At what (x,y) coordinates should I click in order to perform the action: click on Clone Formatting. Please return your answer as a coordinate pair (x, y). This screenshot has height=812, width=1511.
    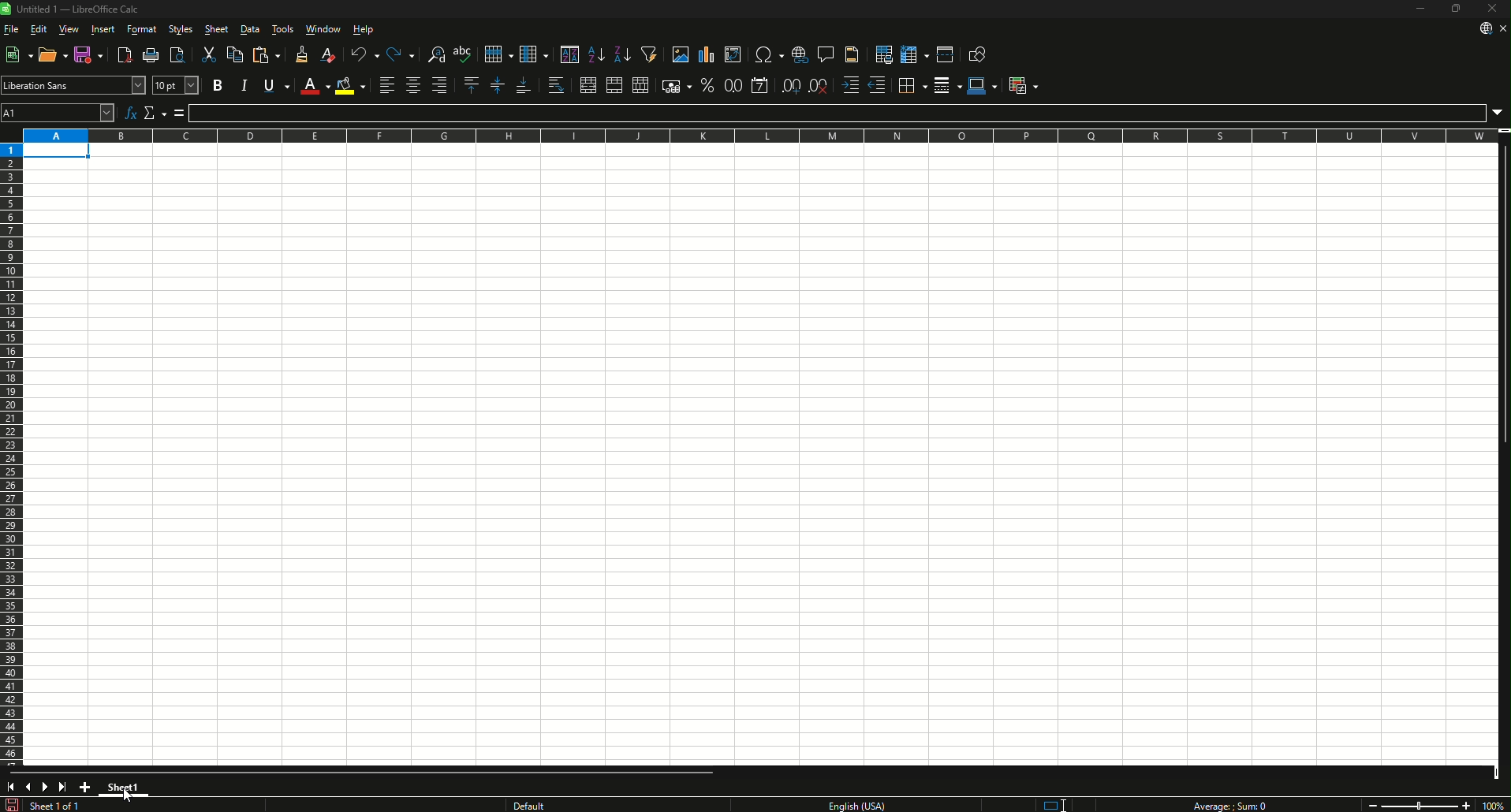
    Looking at the image, I should click on (304, 54).